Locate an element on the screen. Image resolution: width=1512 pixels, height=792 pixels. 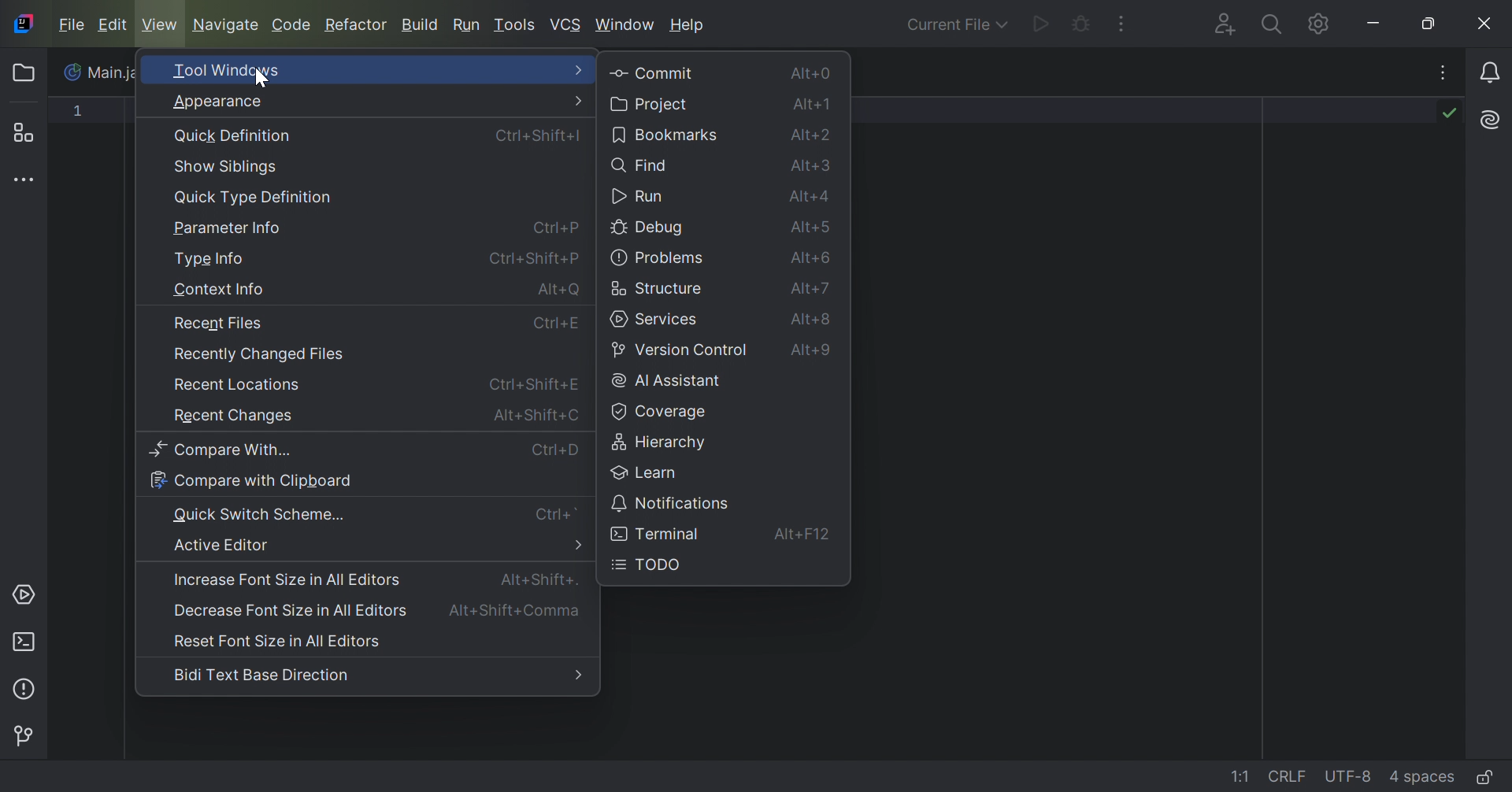
Alt+8 is located at coordinates (813, 320).